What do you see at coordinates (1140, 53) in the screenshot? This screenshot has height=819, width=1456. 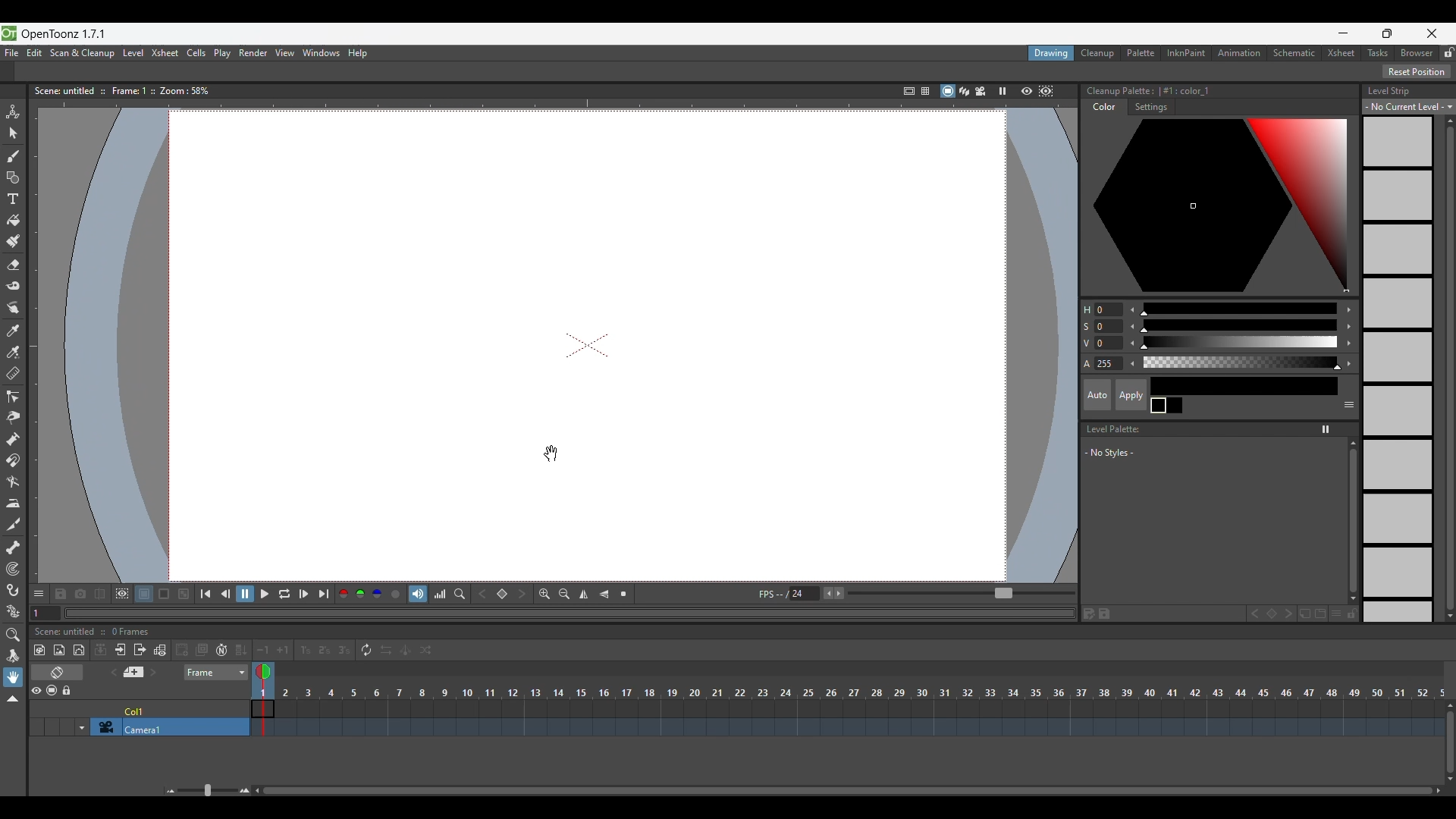 I see `Palette` at bounding box center [1140, 53].